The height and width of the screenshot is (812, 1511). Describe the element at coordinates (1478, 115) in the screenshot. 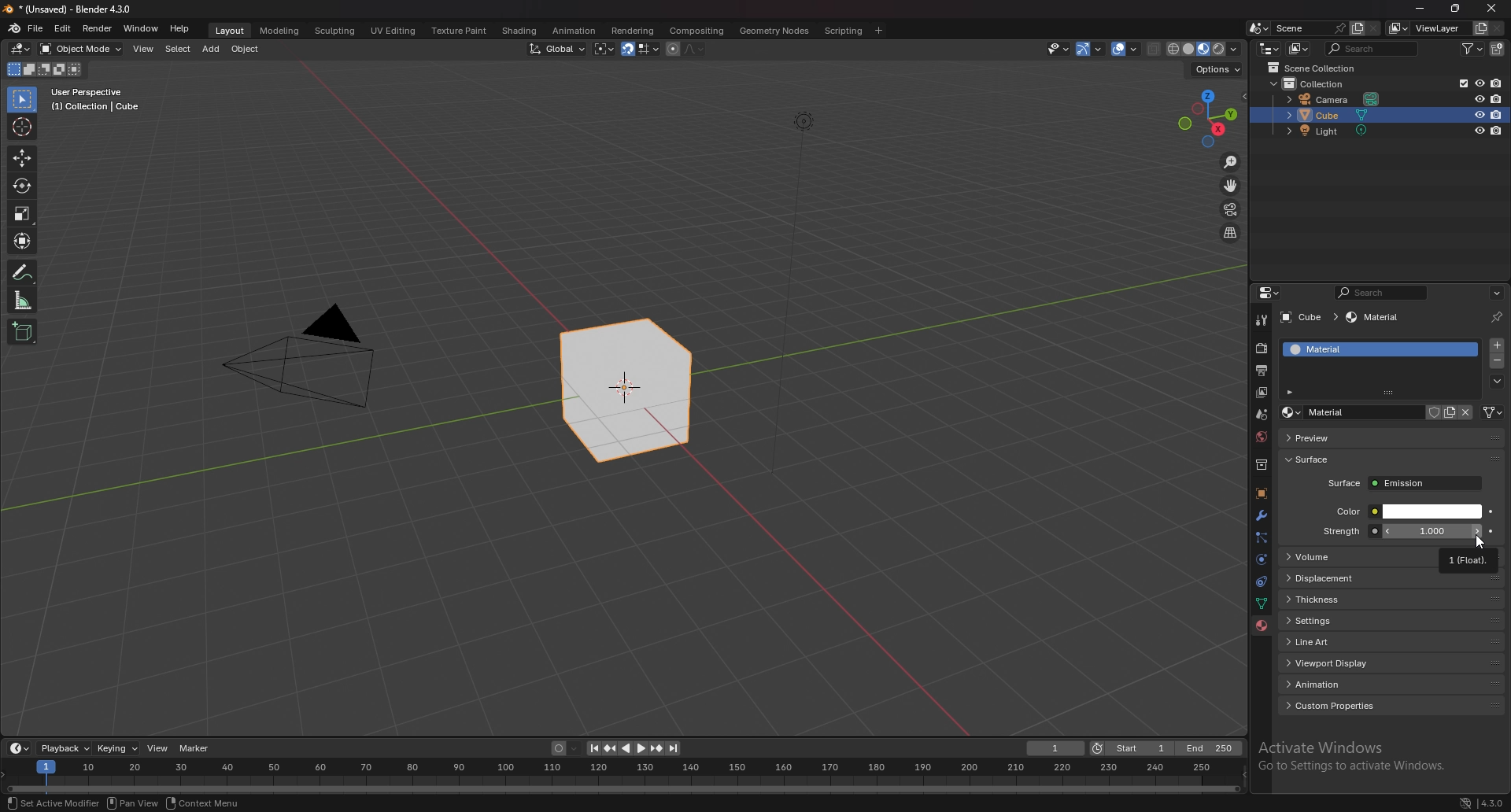

I see `hide in viewport` at that location.